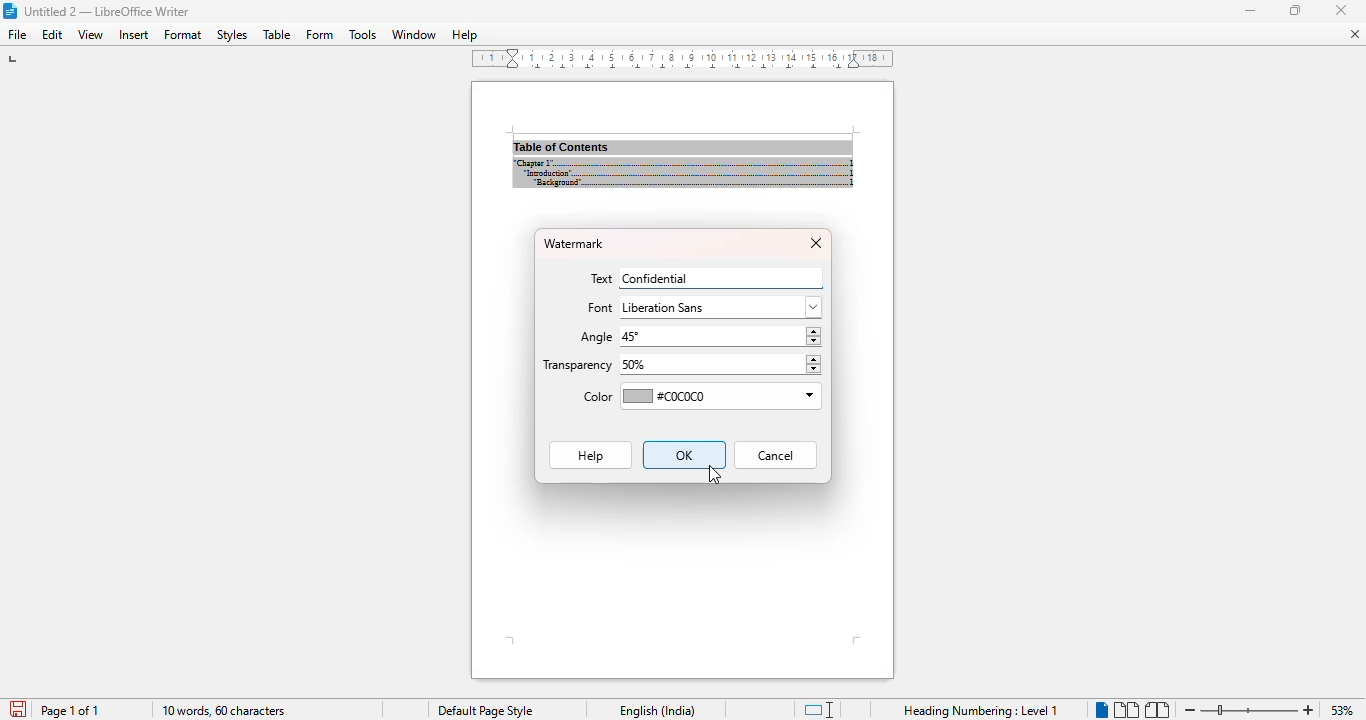  What do you see at coordinates (91, 35) in the screenshot?
I see `view` at bounding box center [91, 35].